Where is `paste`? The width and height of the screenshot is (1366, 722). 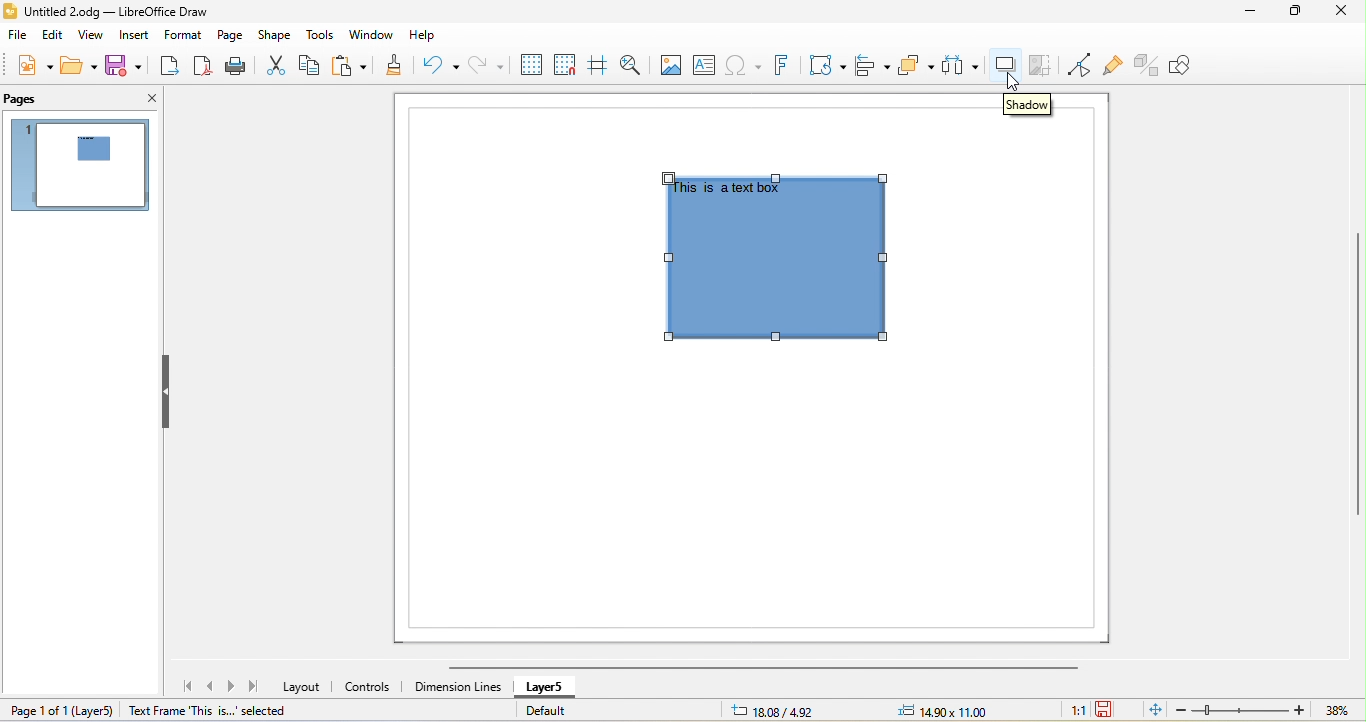 paste is located at coordinates (354, 67).